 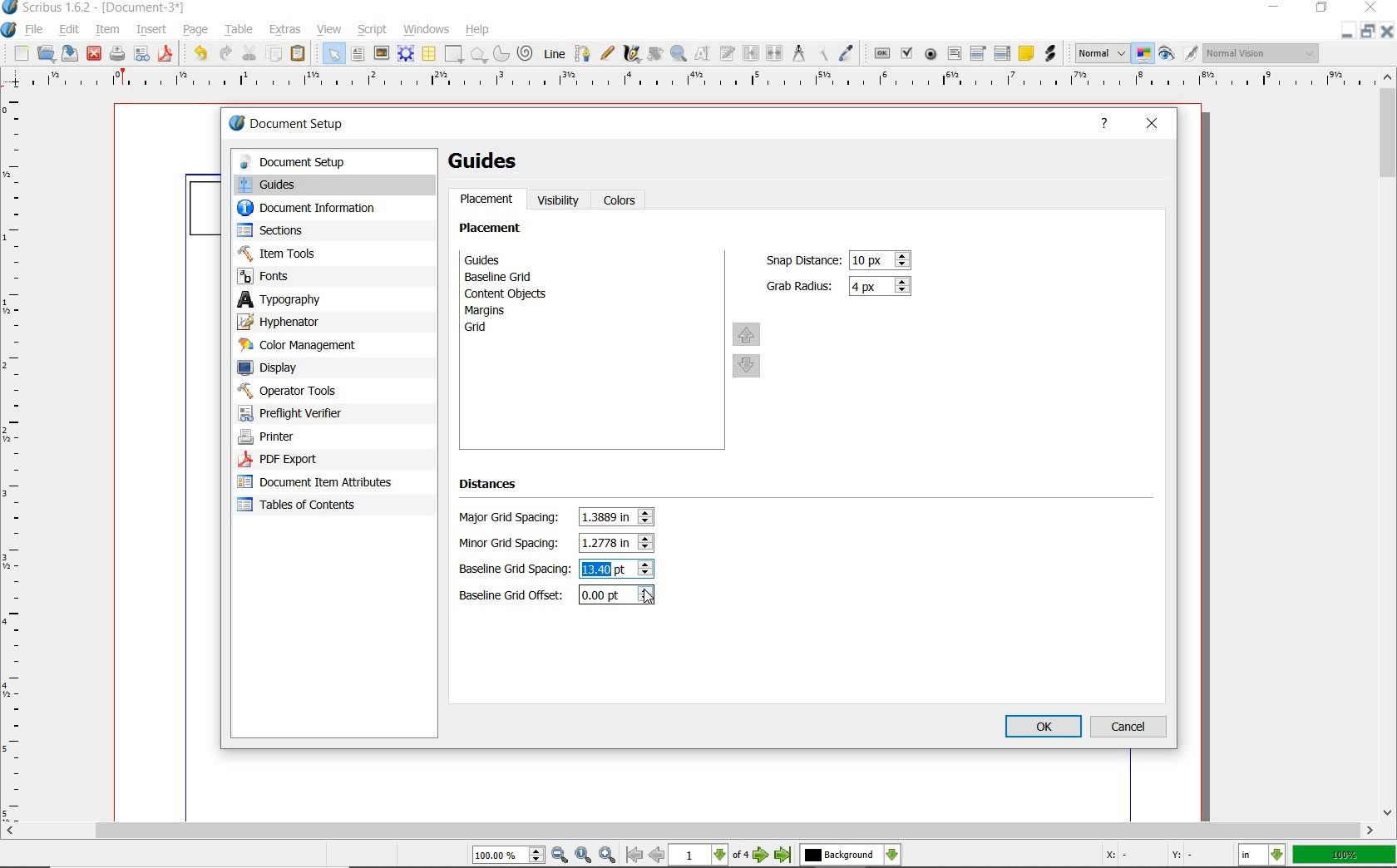 What do you see at coordinates (322, 232) in the screenshot?
I see `sections` at bounding box center [322, 232].